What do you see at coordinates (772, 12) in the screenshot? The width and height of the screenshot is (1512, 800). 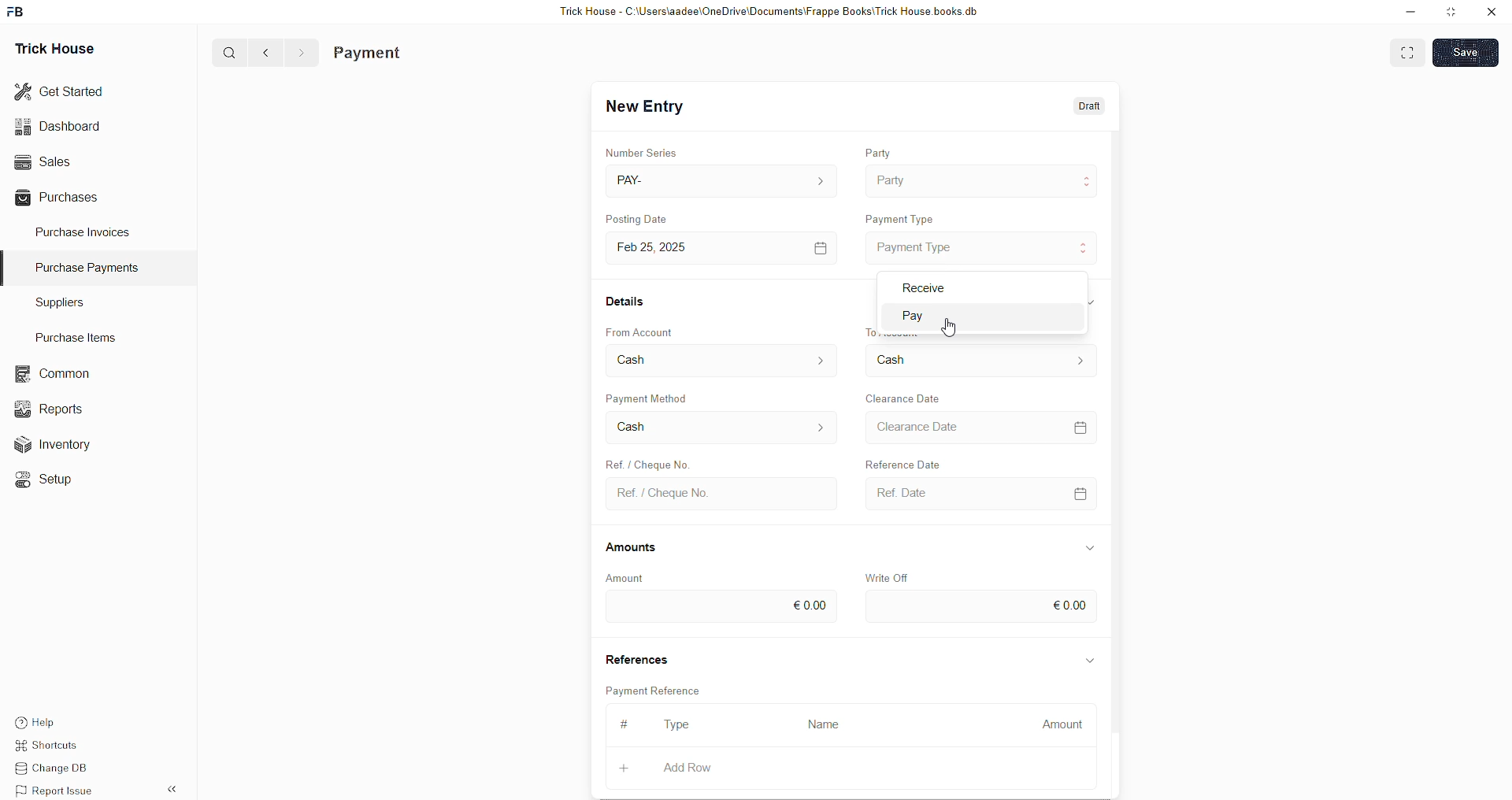 I see `Trick House - C:\Users\aadee\OneDrive\Documents\Frappe Books\Trick House books.db` at bounding box center [772, 12].